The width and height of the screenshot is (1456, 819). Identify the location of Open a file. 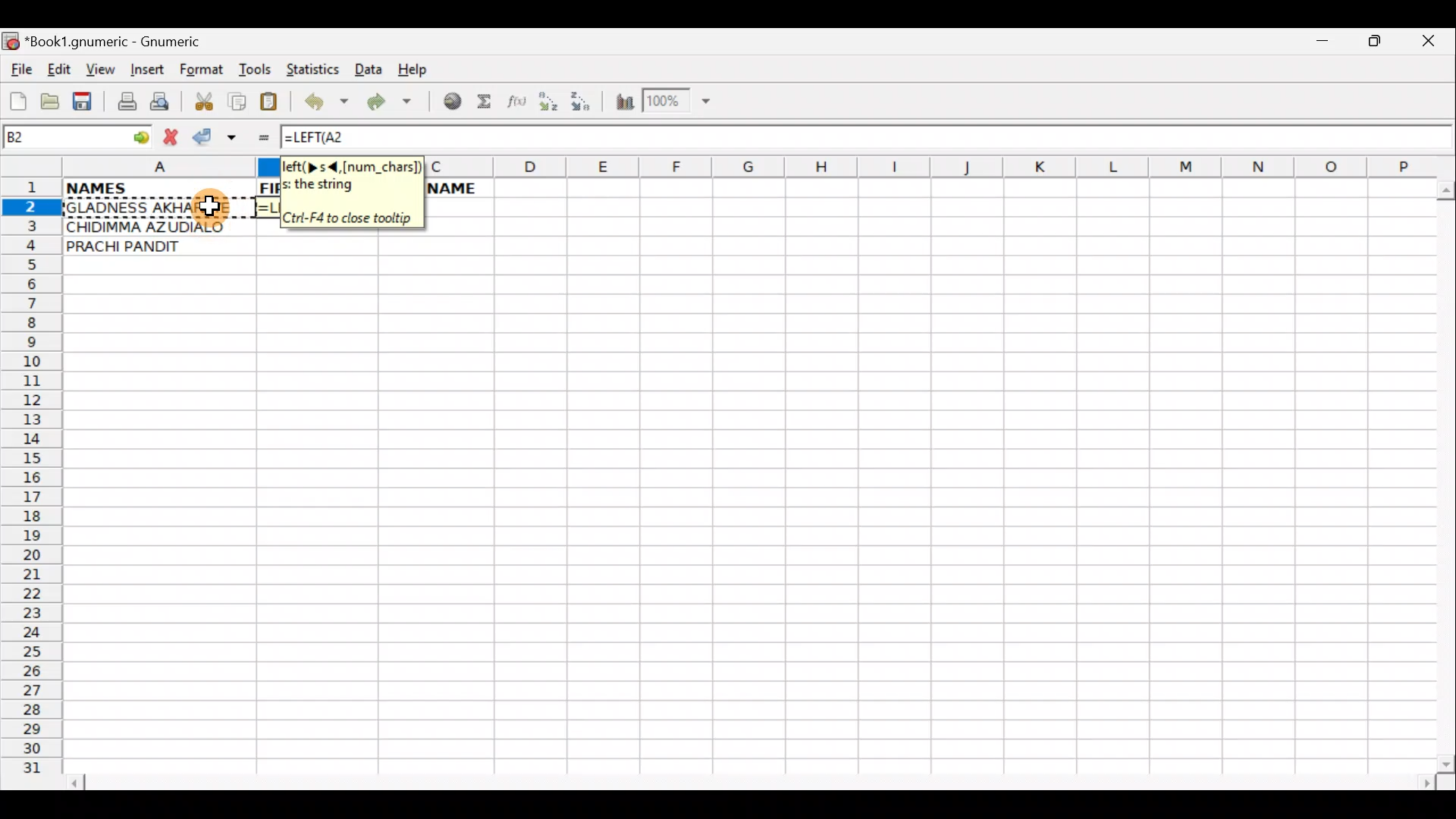
(53, 99).